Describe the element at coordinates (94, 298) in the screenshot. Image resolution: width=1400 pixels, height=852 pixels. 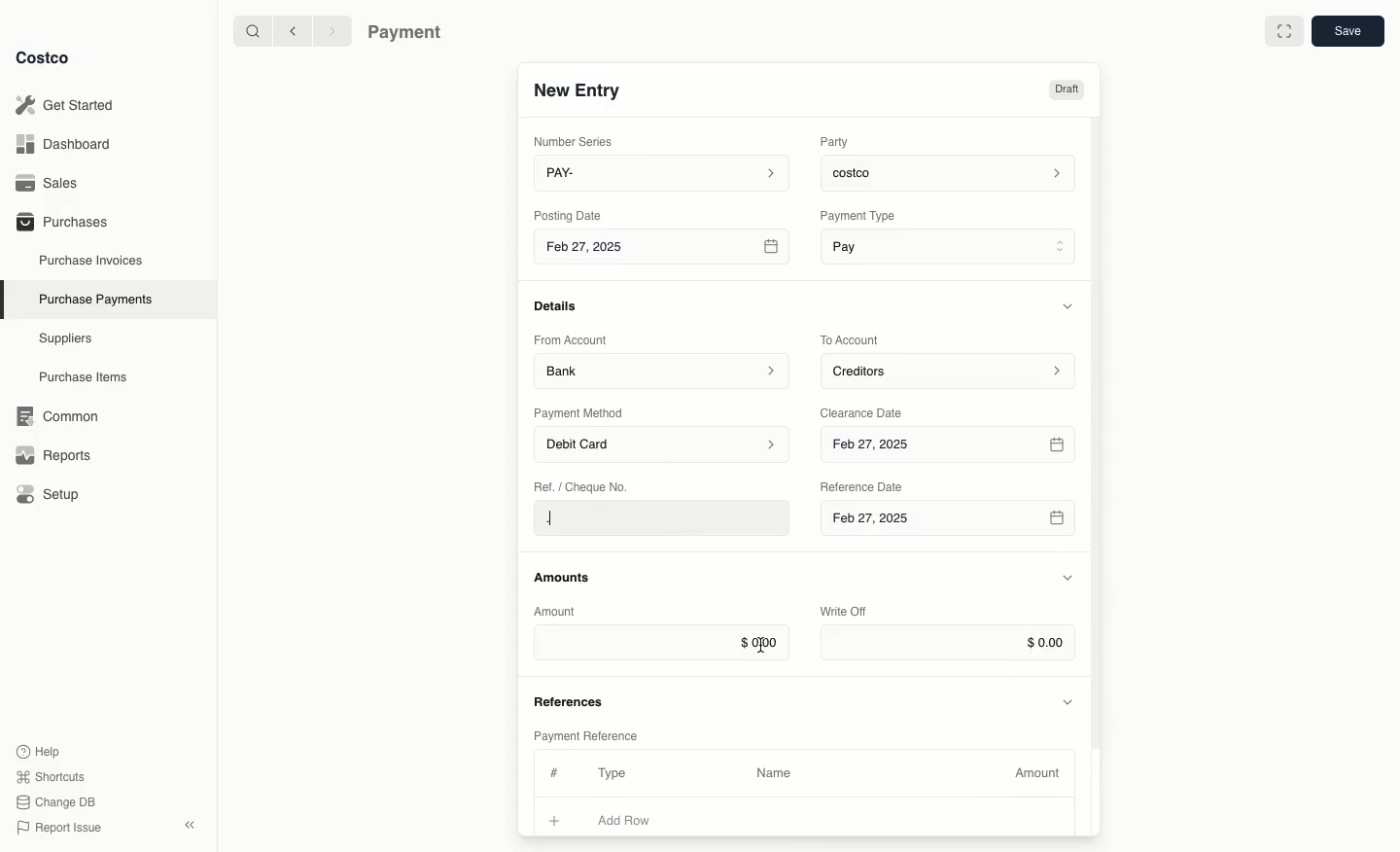
I see `Purchase Payments` at that location.